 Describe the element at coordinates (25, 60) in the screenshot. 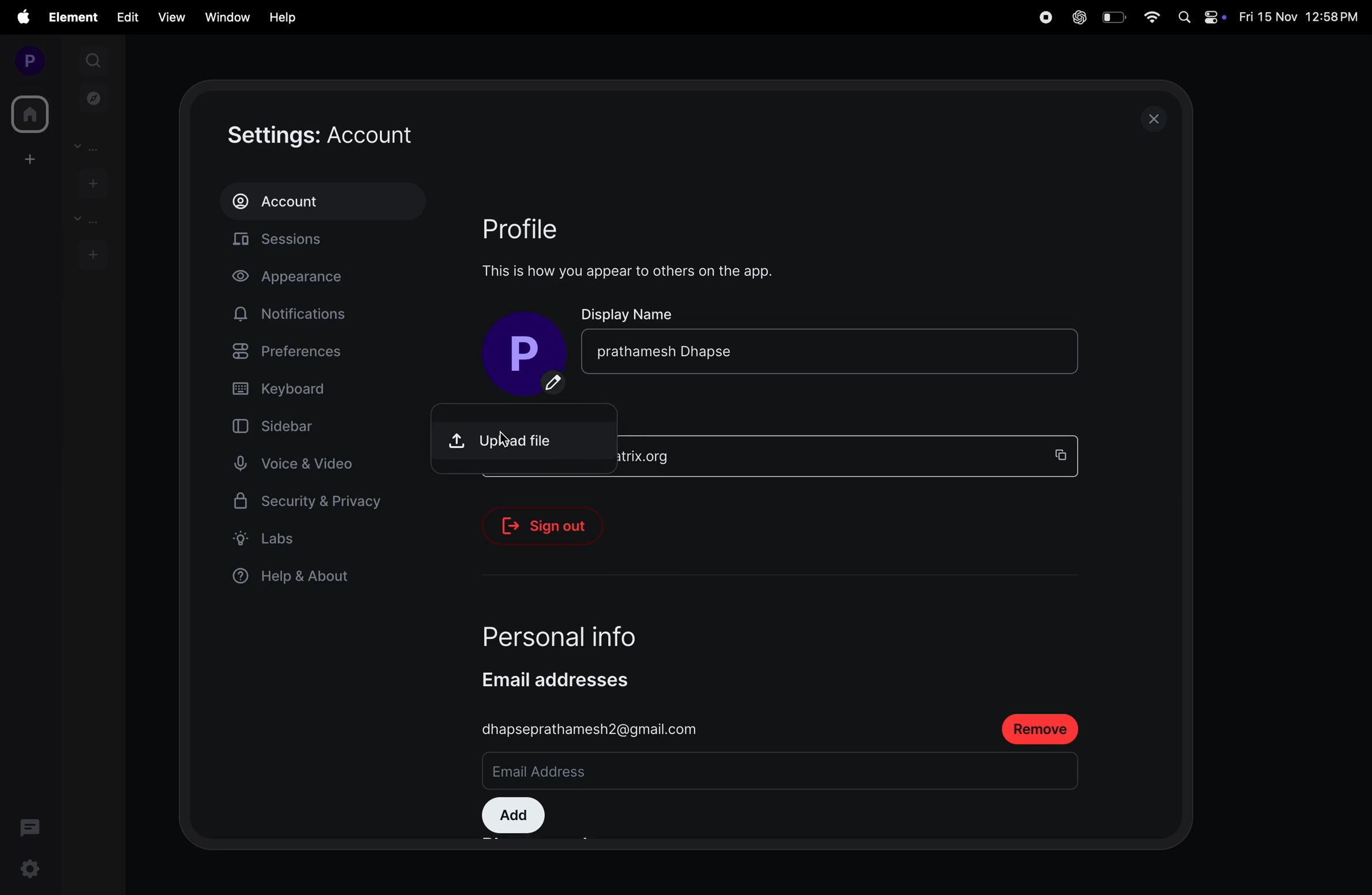

I see `profile` at that location.